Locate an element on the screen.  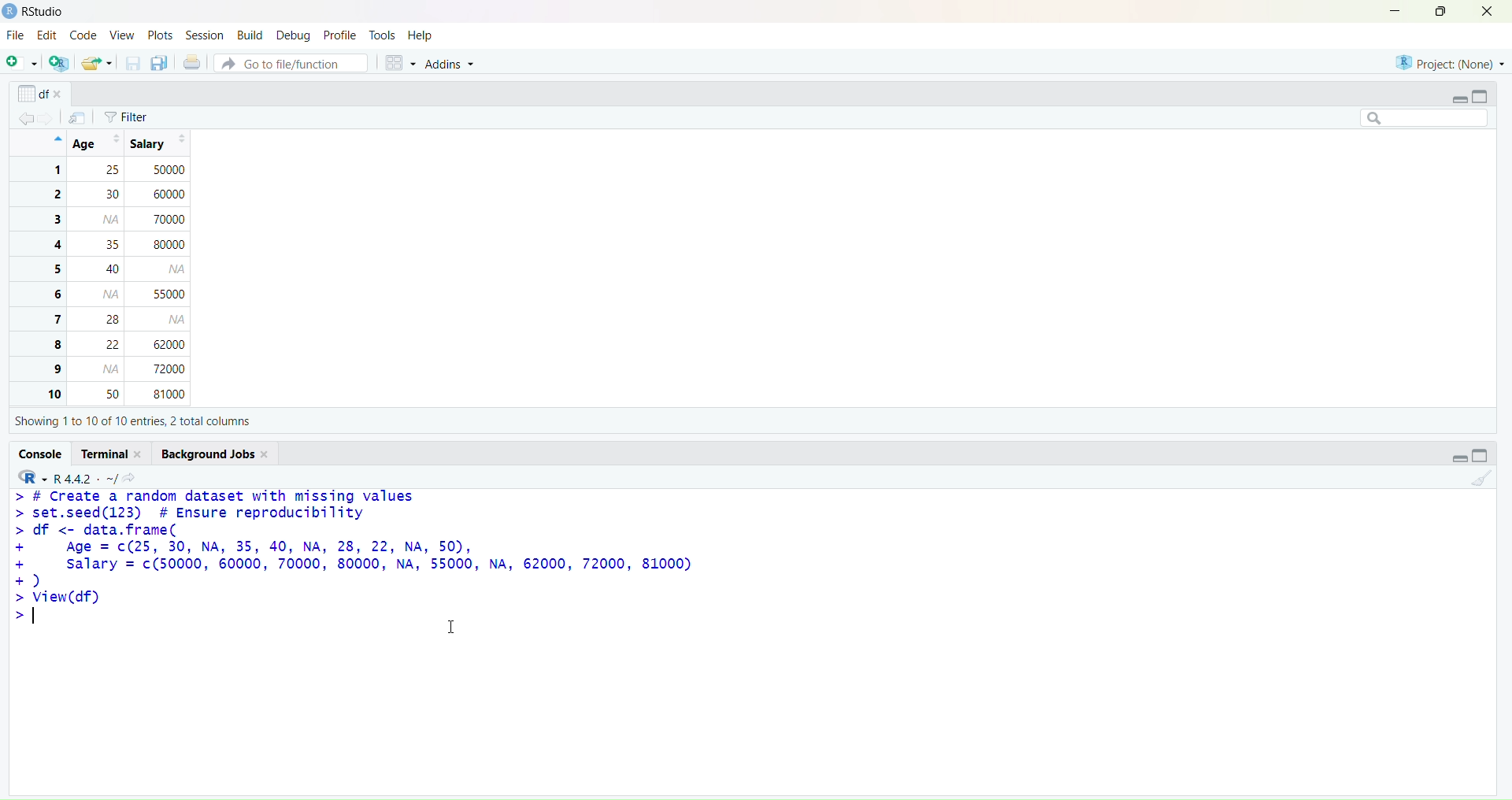
build is located at coordinates (250, 35).